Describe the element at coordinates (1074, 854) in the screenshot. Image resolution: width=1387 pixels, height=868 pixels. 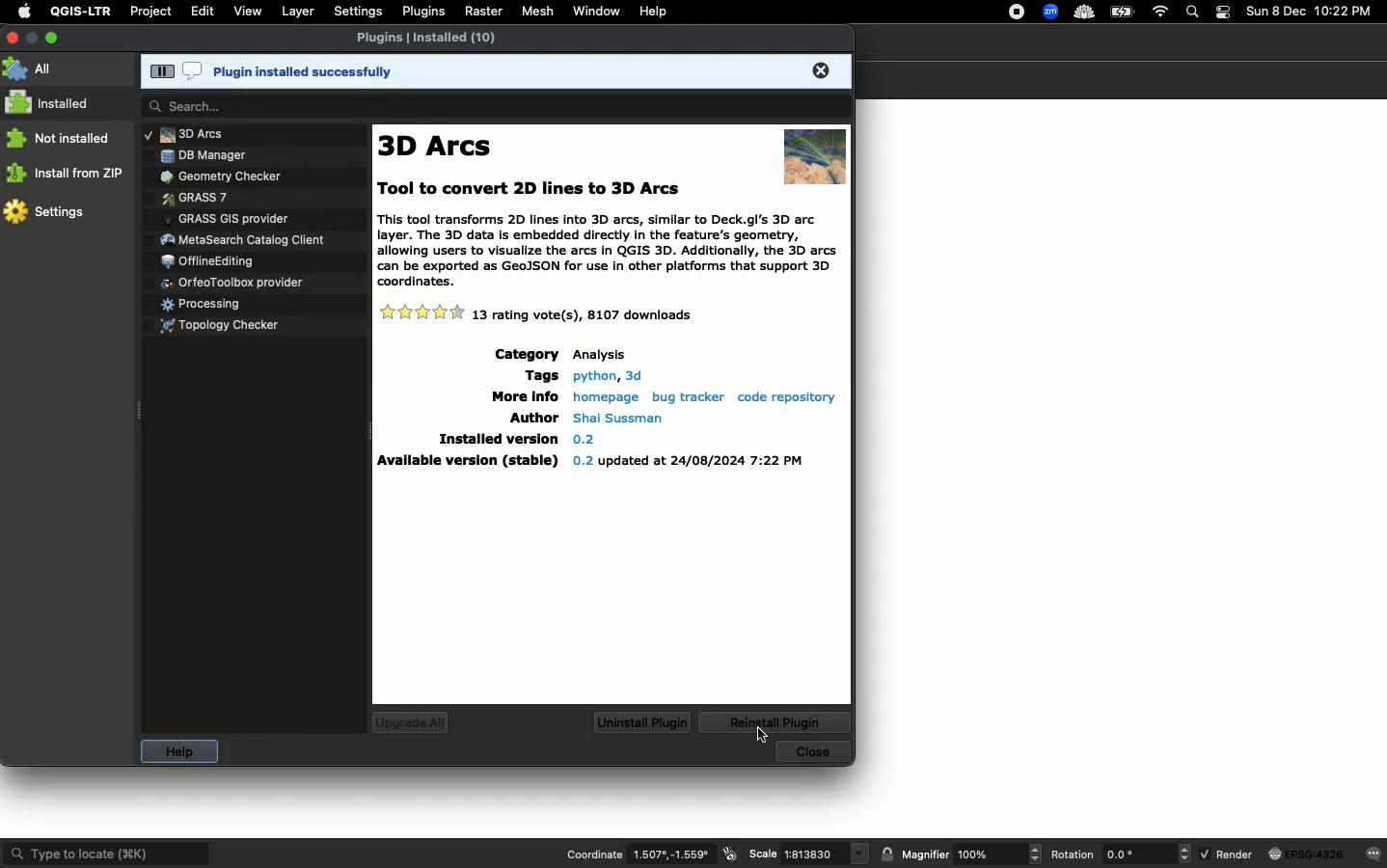
I see `Rotation` at that location.